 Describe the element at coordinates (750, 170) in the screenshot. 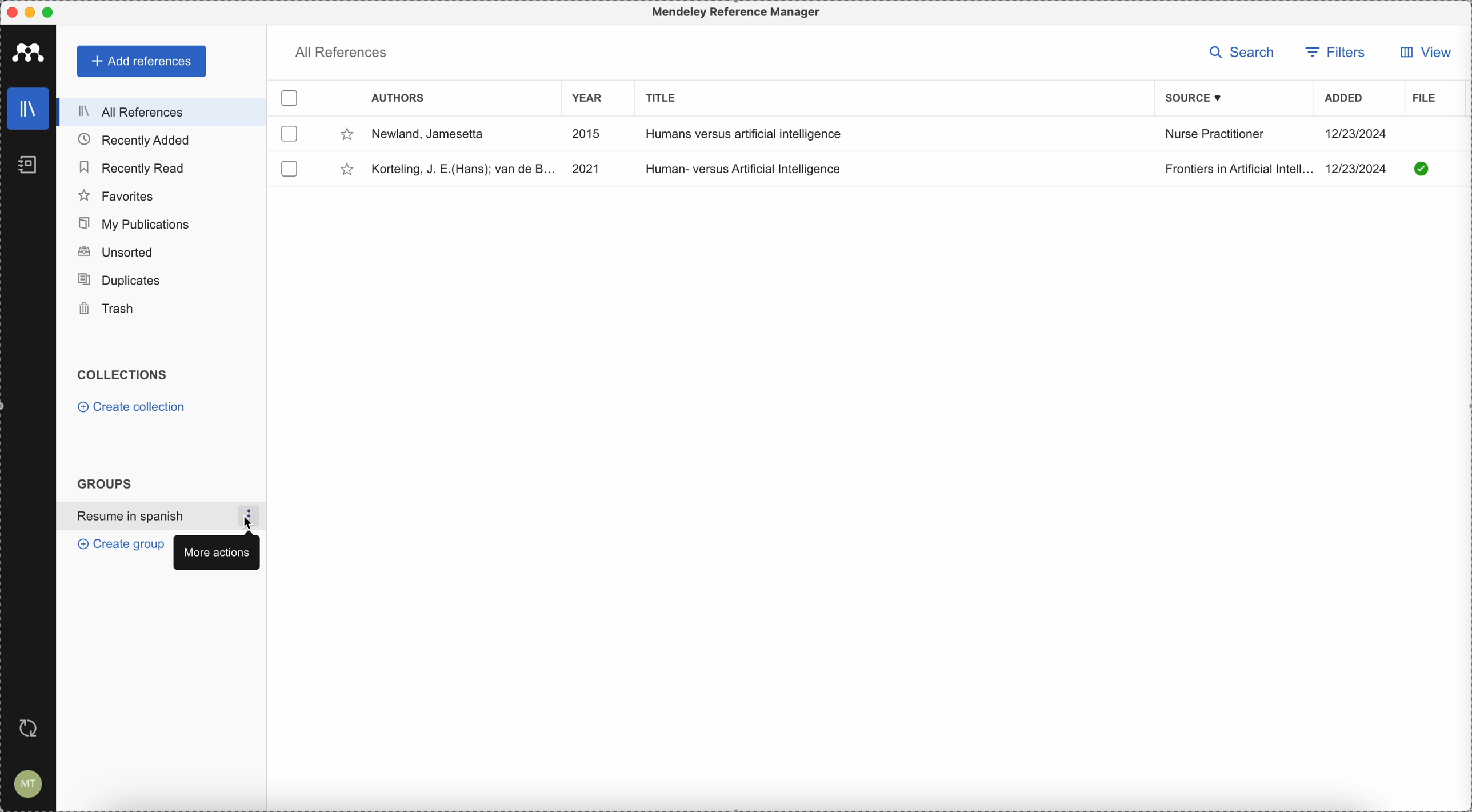

I see `Human- versus Artificial Intelligence` at that location.